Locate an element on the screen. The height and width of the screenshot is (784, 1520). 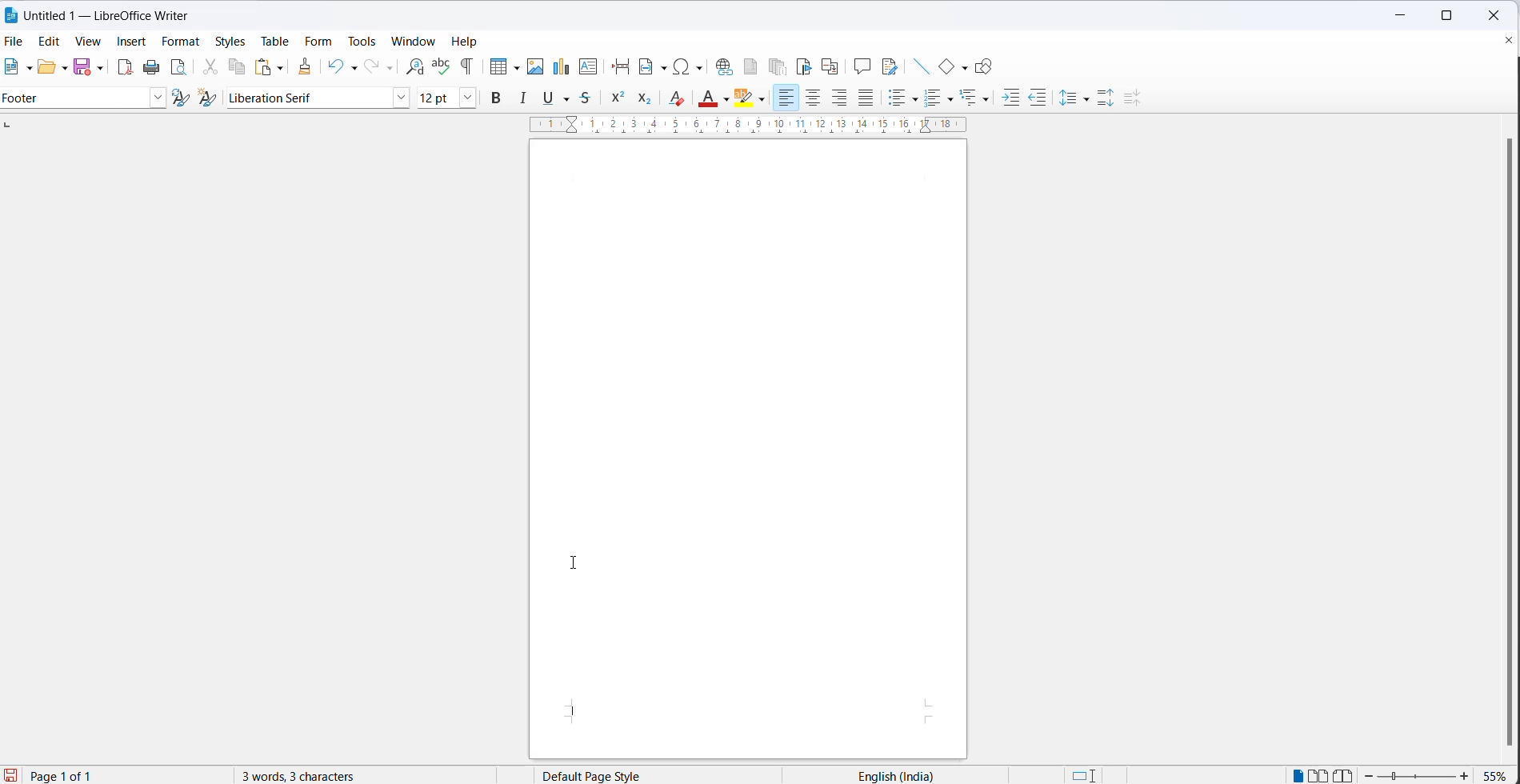
underline is located at coordinates (550, 98).